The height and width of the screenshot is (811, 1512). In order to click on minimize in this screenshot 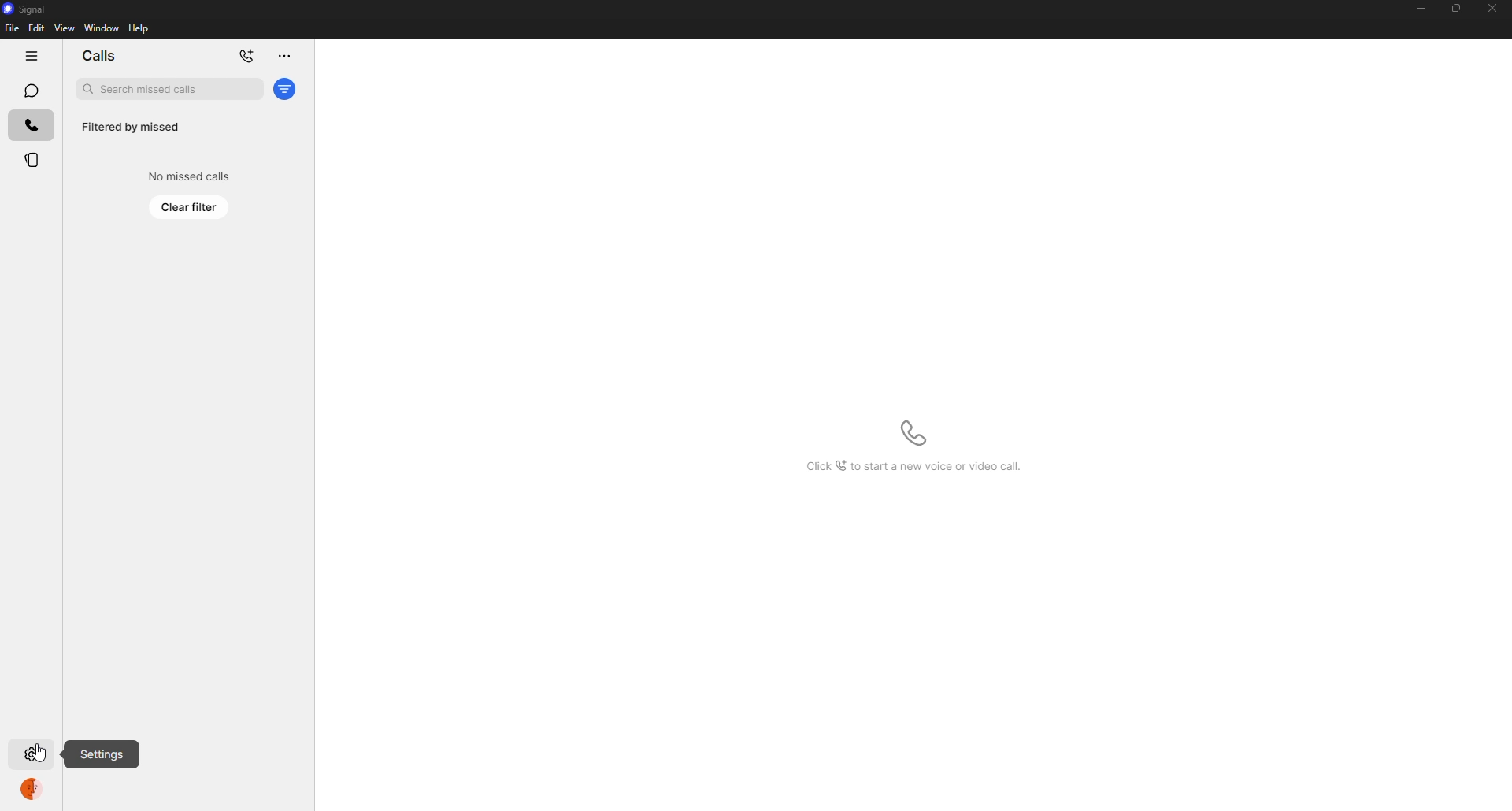, I will do `click(1415, 9)`.